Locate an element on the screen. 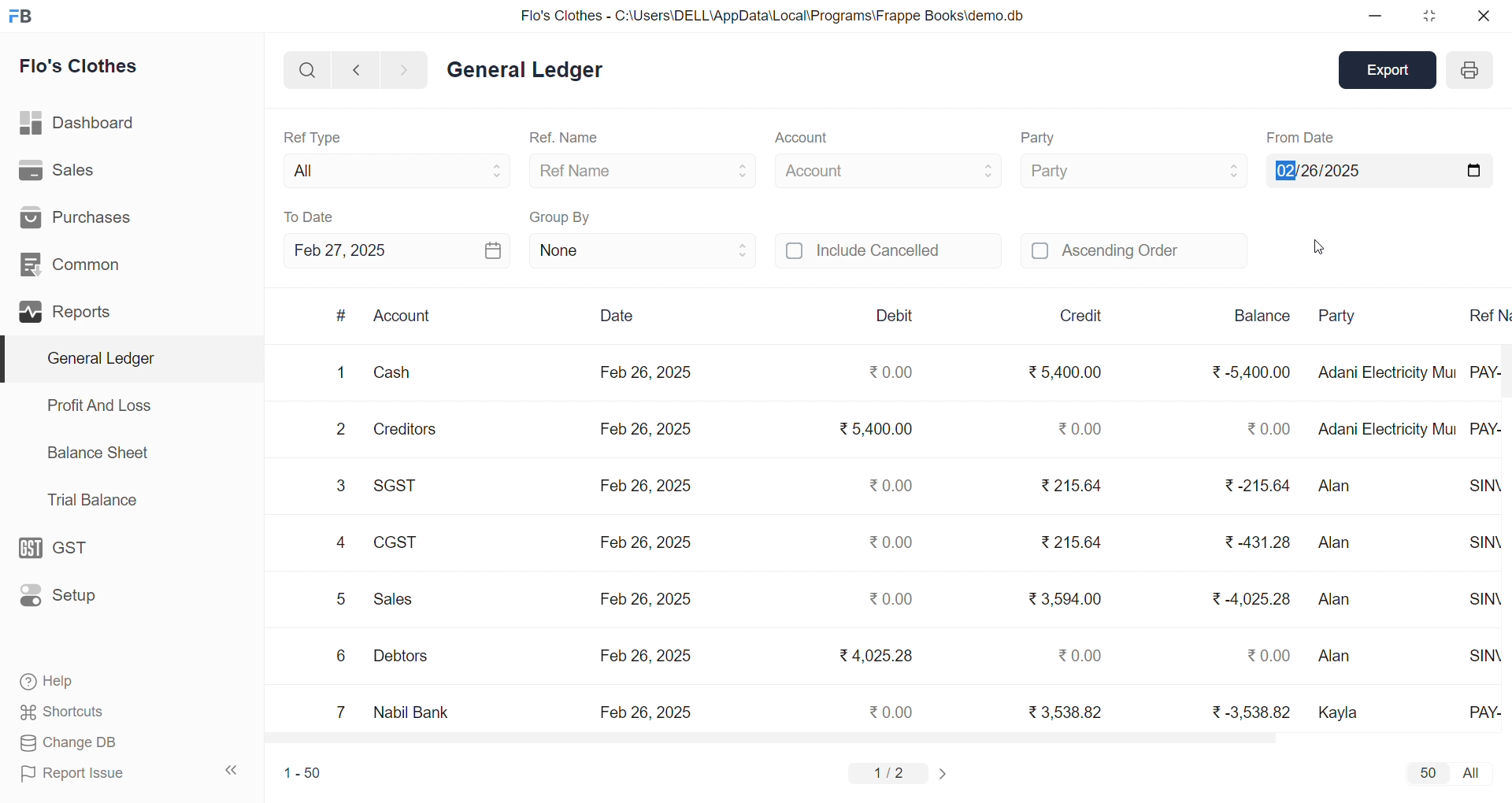 Image resolution: width=1512 pixels, height=803 pixels. ₹ -5,400.00 is located at coordinates (1248, 372).